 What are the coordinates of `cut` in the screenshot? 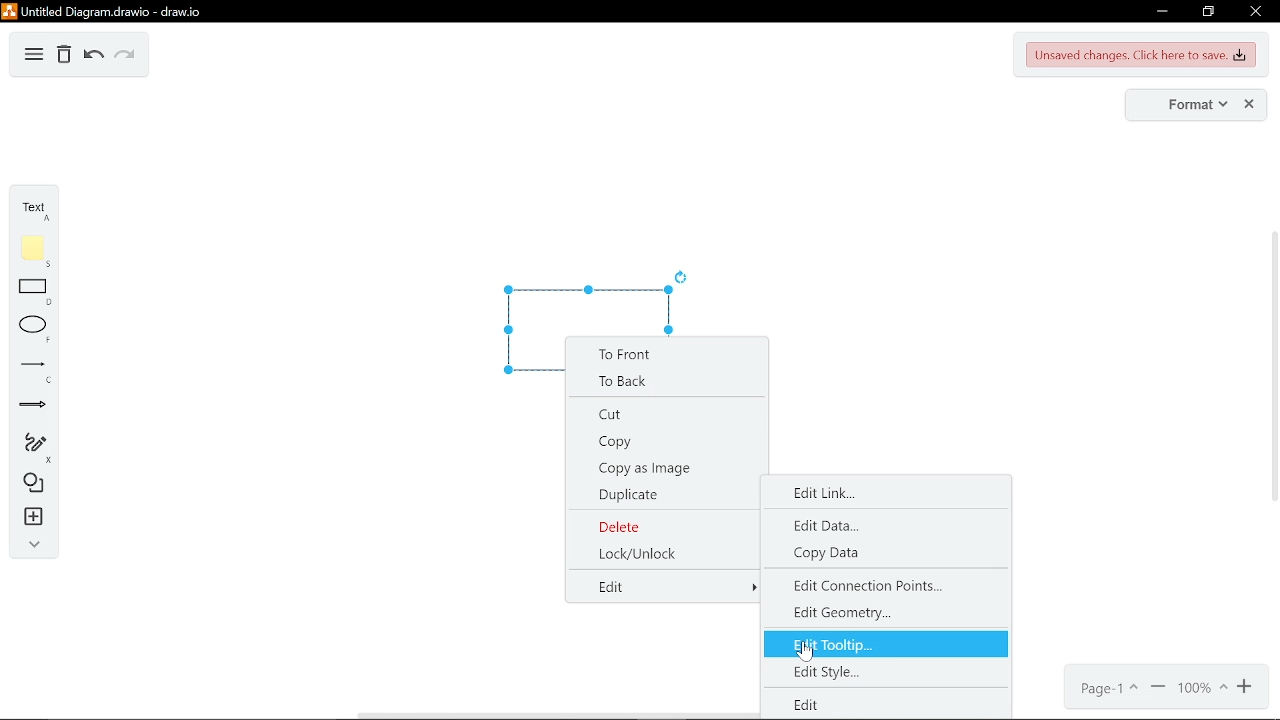 It's located at (664, 415).